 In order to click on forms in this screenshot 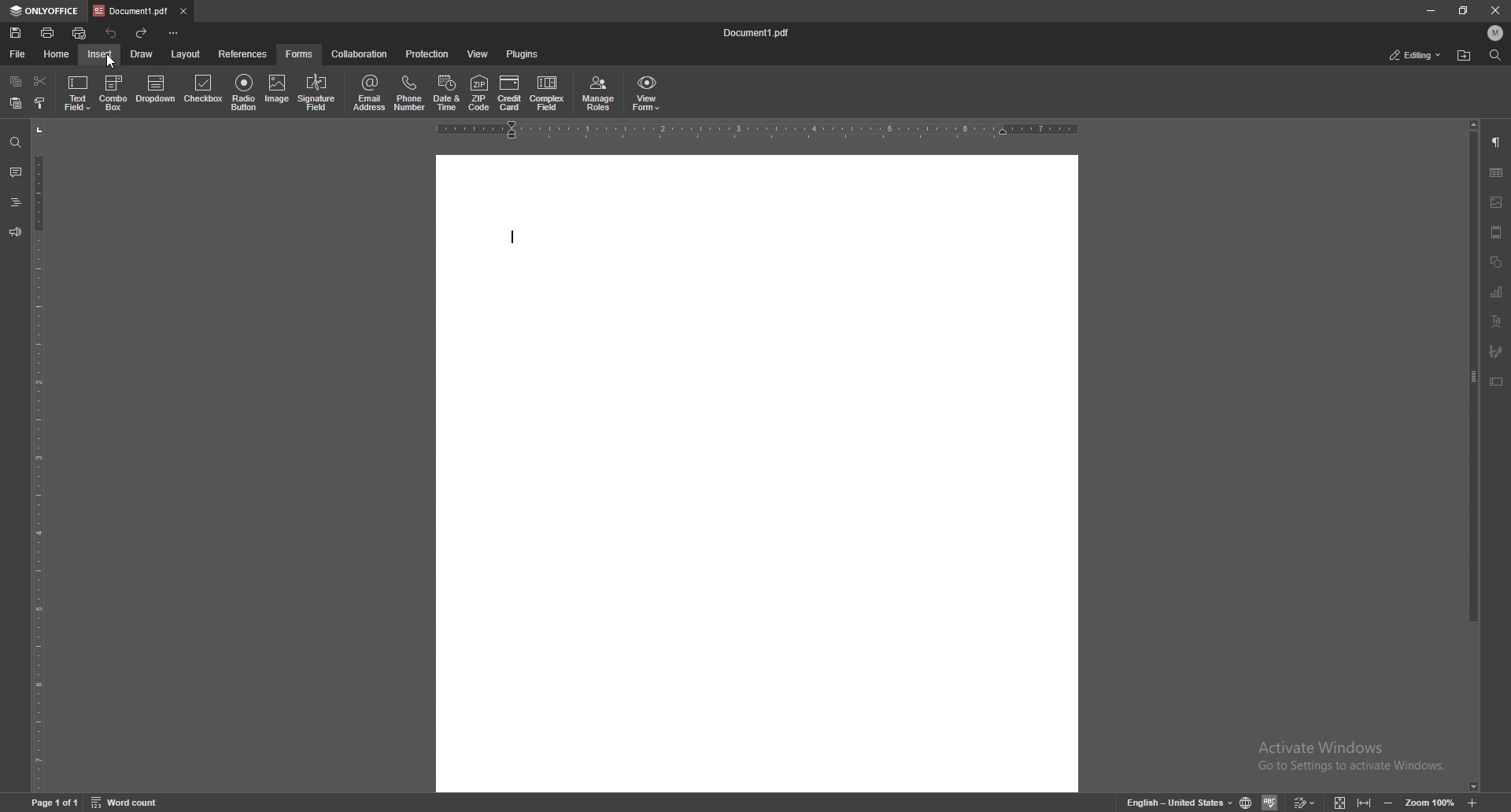, I will do `click(301, 55)`.